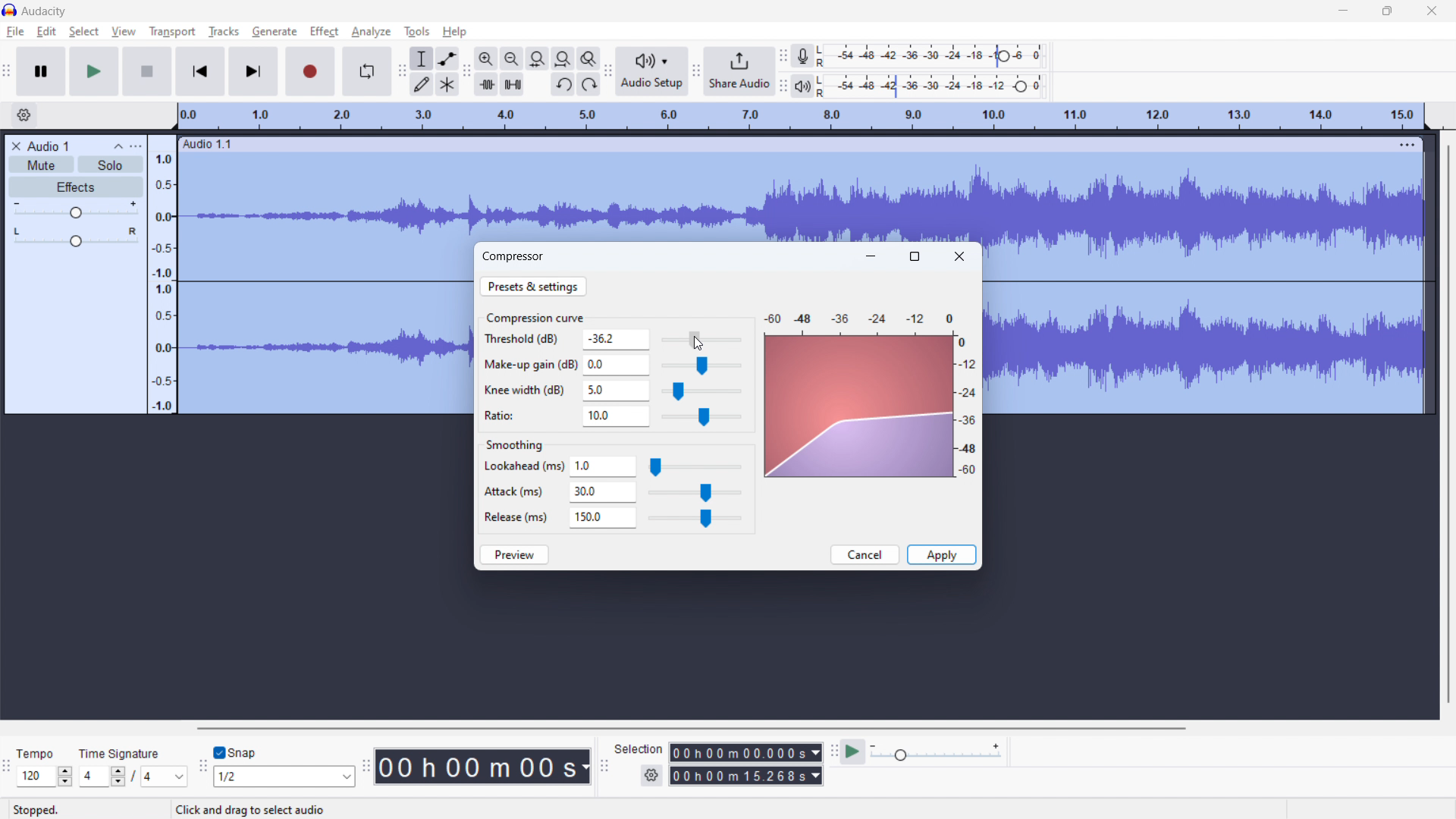 The width and height of the screenshot is (1456, 819). Describe the element at coordinates (46, 808) in the screenshot. I see `Stopped` at that location.